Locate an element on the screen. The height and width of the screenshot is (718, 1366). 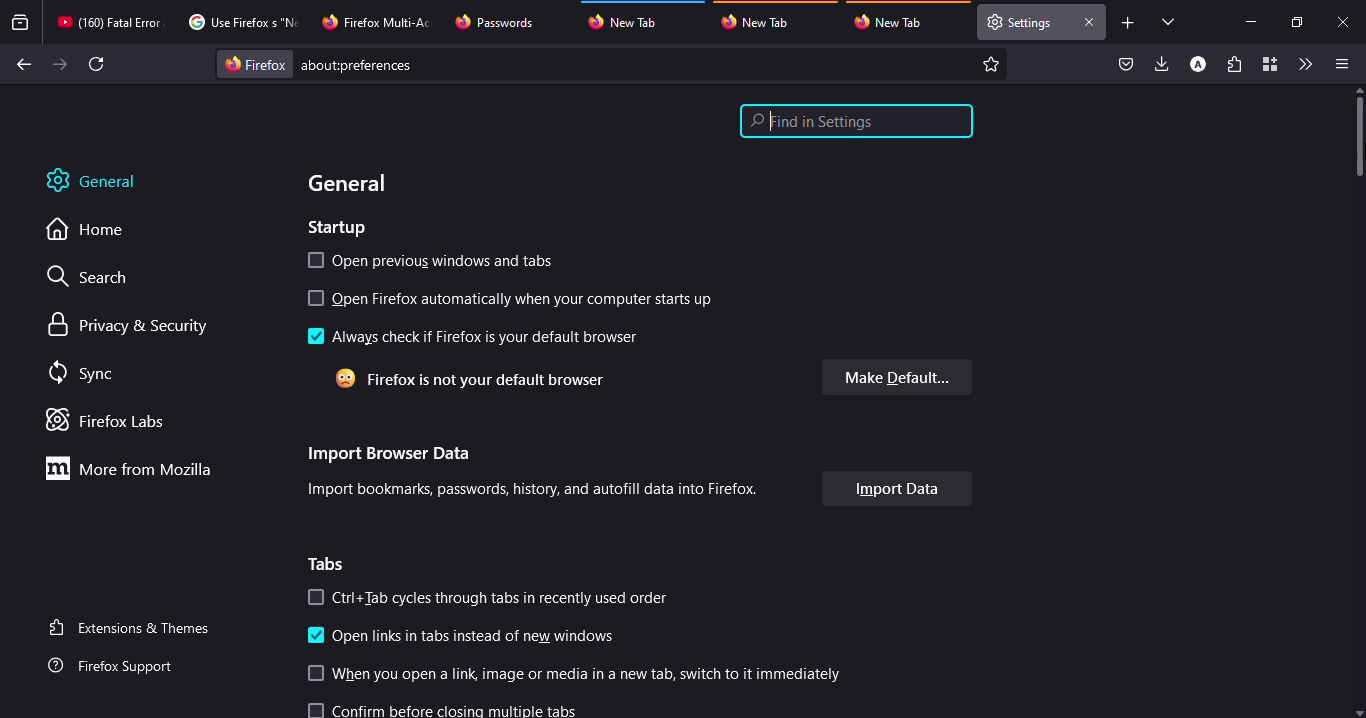
tab is located at coordinates (240, 22).